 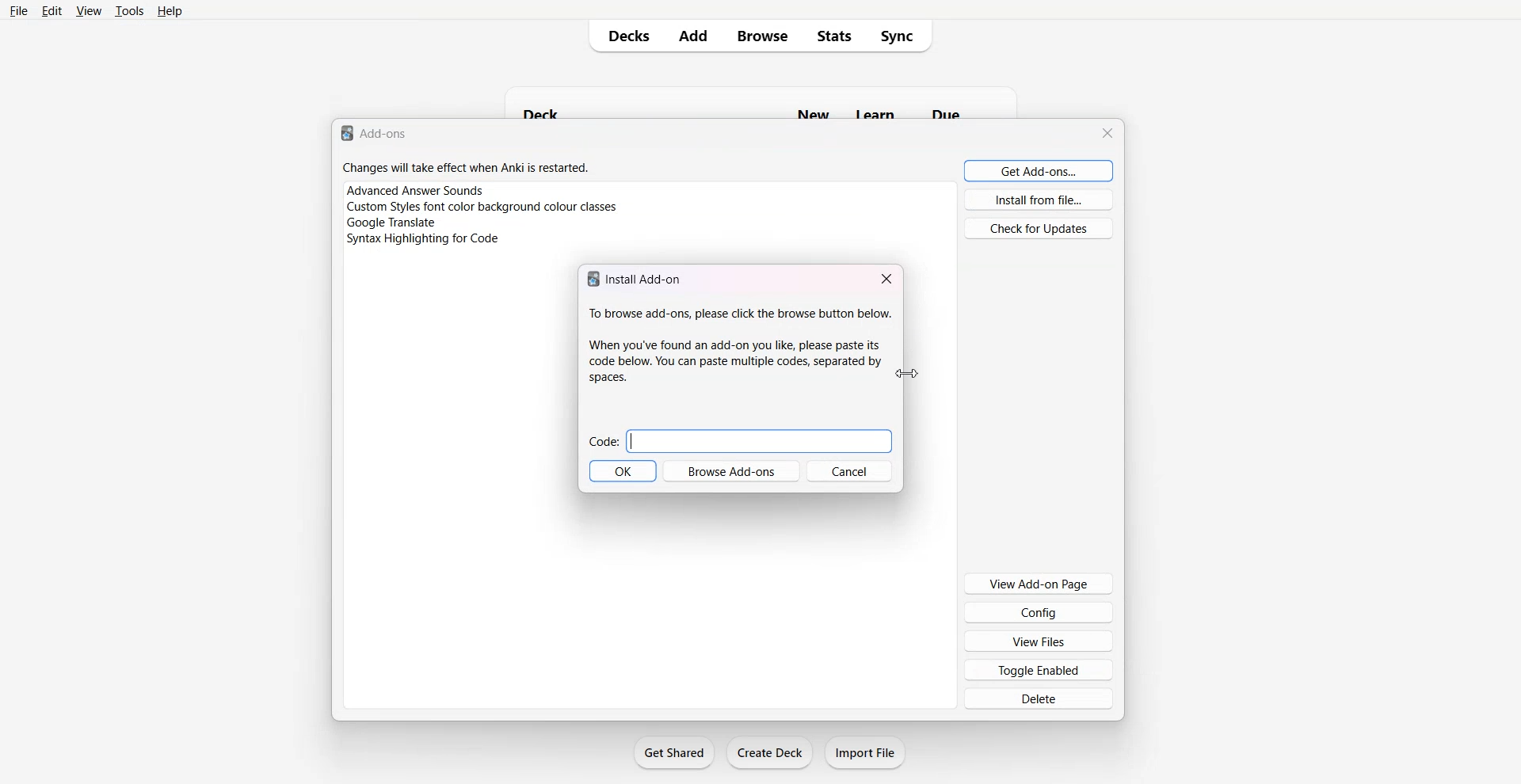 I want to click on Help, so click(x=170, y=11).